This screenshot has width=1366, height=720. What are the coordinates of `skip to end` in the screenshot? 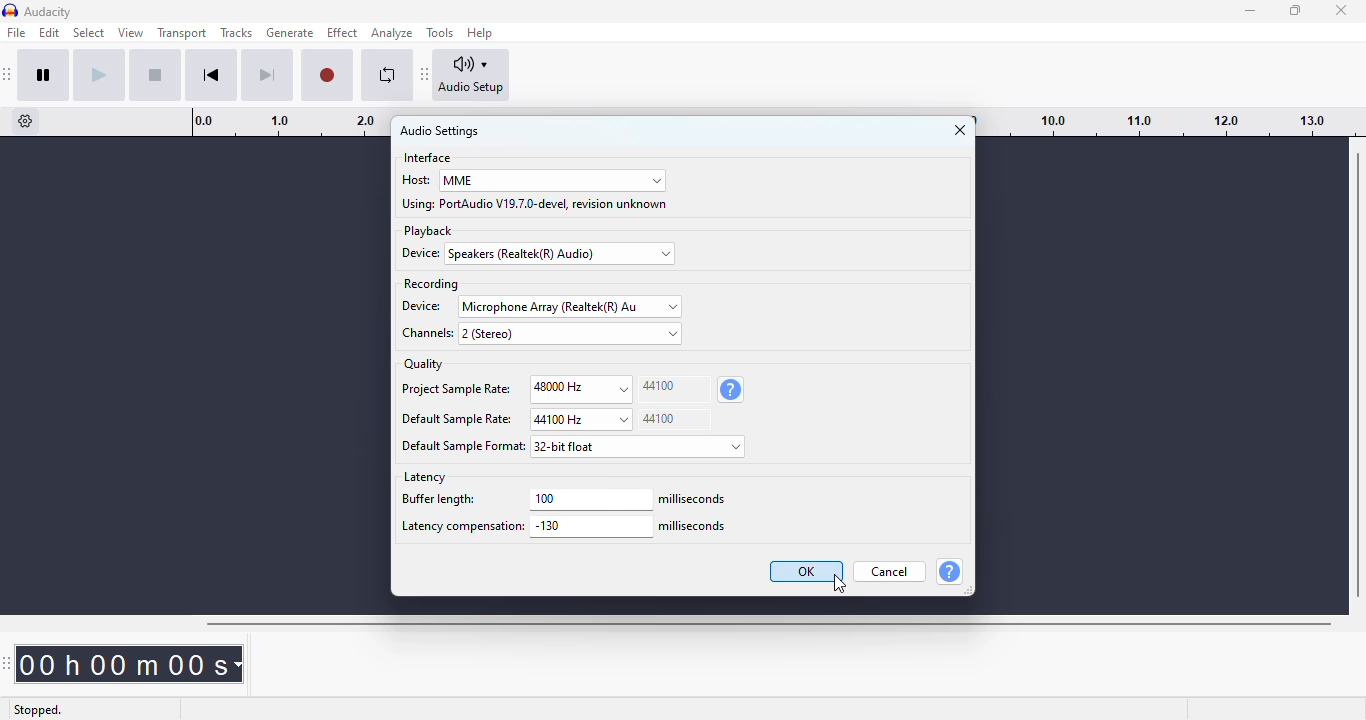 It's located at (266, 76).